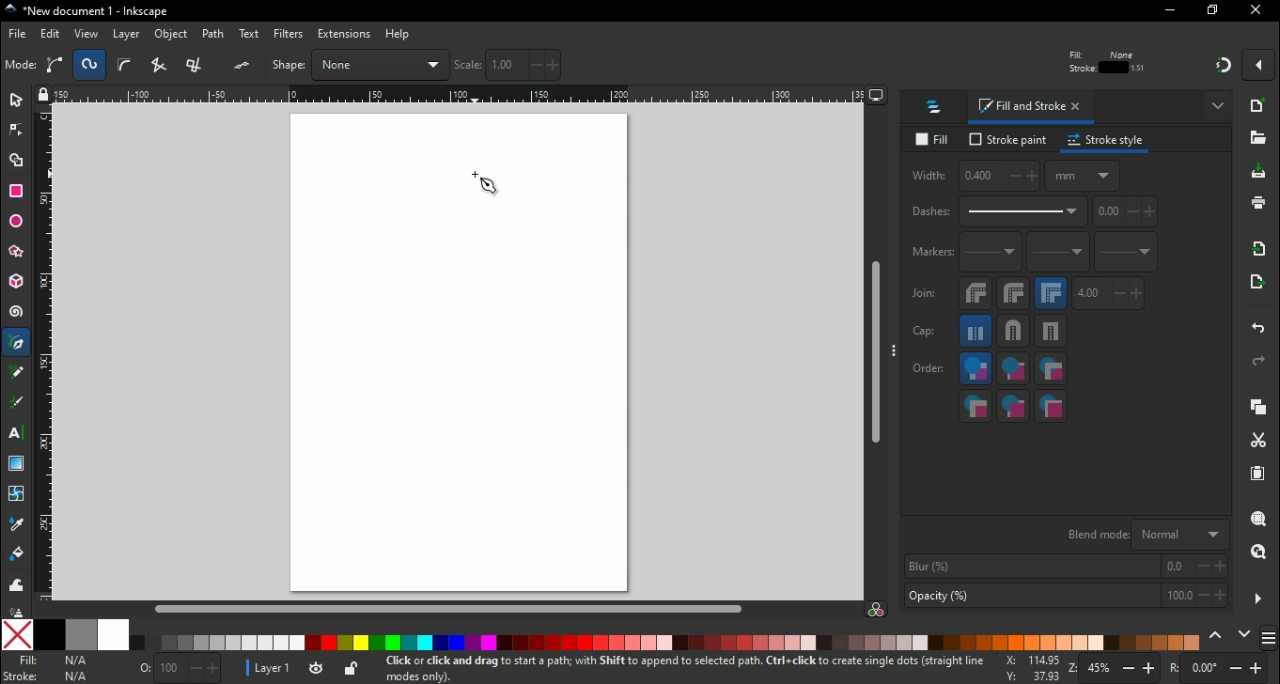  Describe the element at coordinates (128, 68) in the screenshot. I see `create BSplain path` at that location.